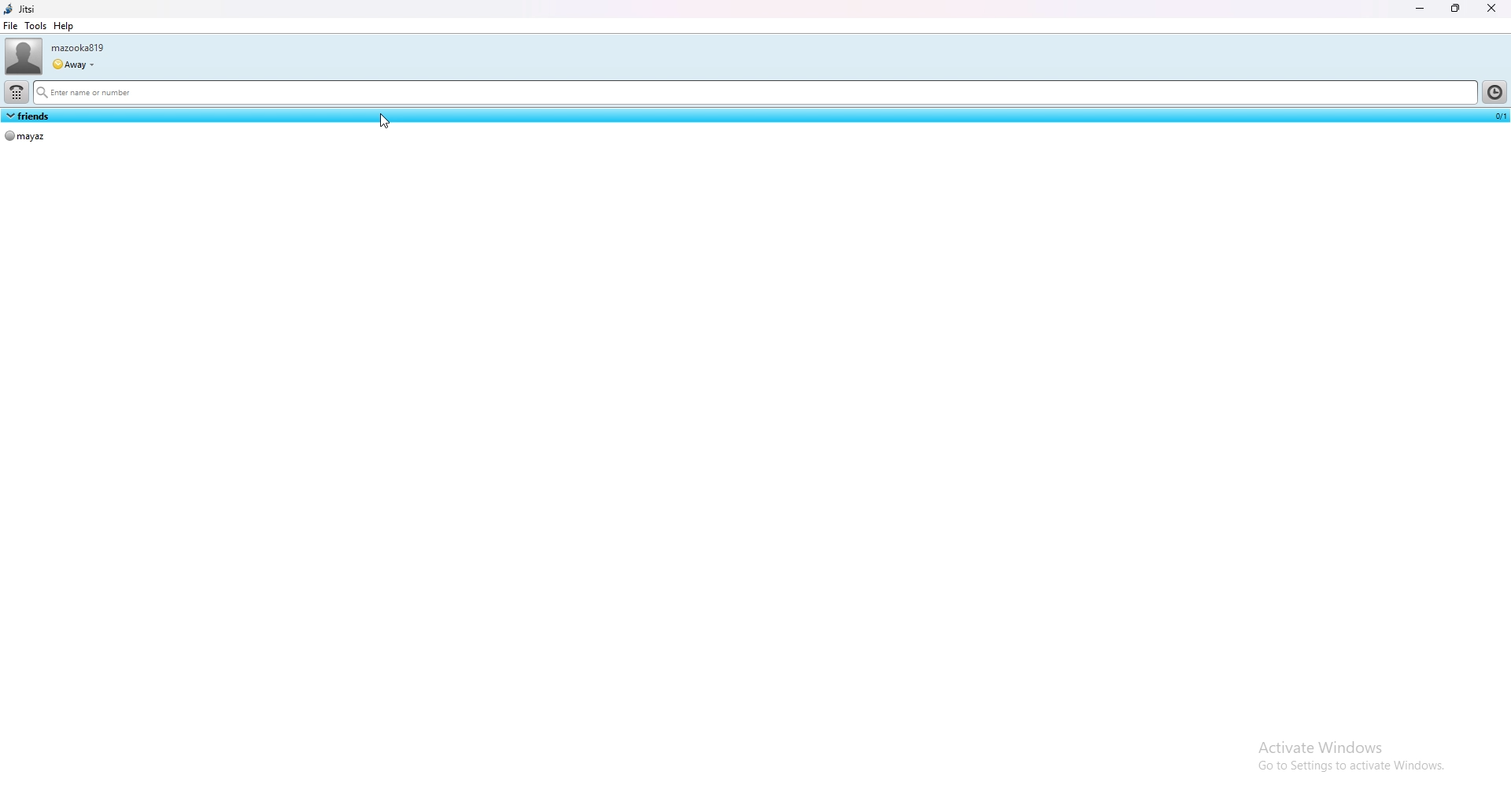  I want to click on jitsi, so click(21, 9).